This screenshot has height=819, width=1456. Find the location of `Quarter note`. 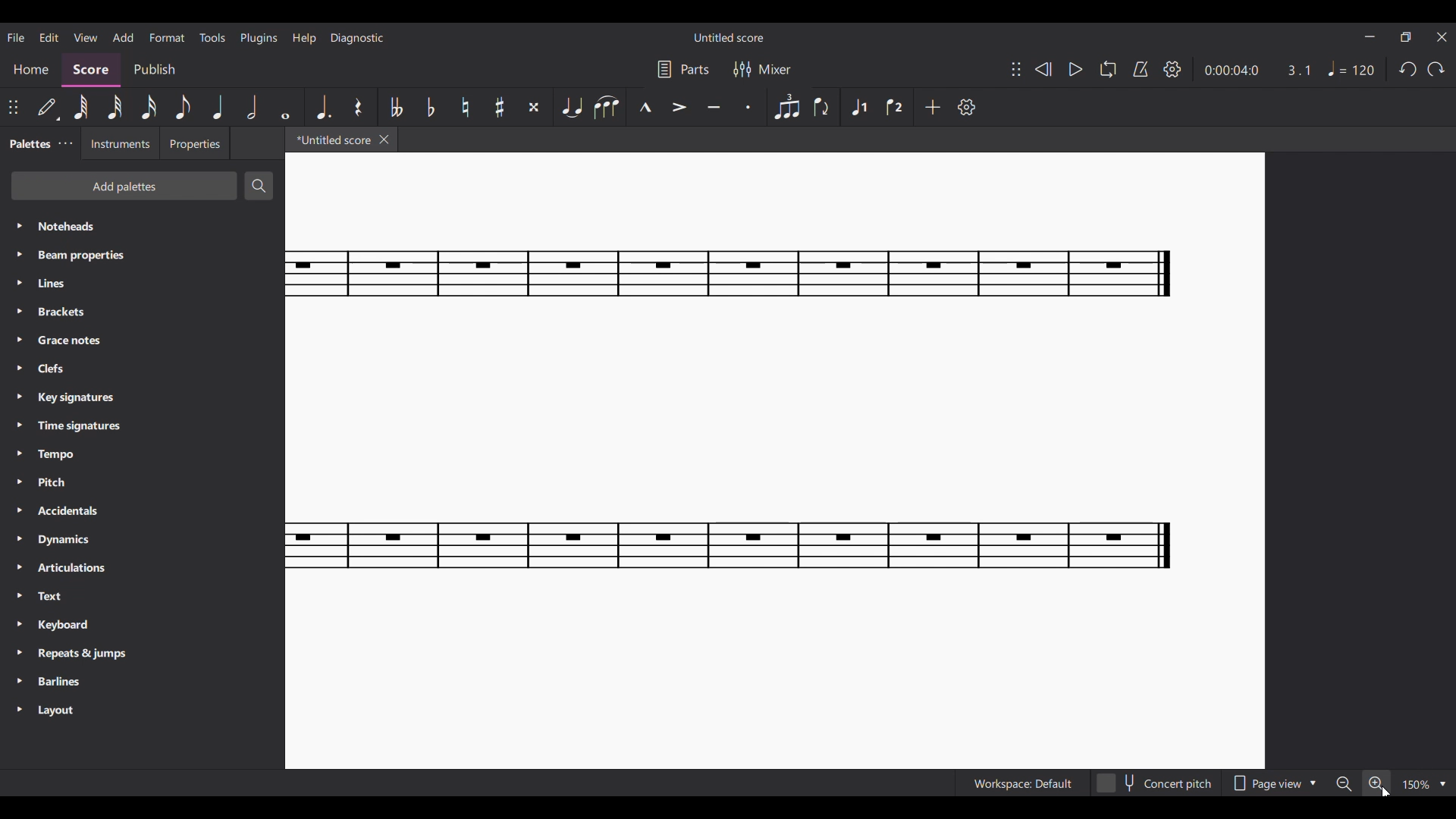

Quarter note is located at coordinates (218, 108).